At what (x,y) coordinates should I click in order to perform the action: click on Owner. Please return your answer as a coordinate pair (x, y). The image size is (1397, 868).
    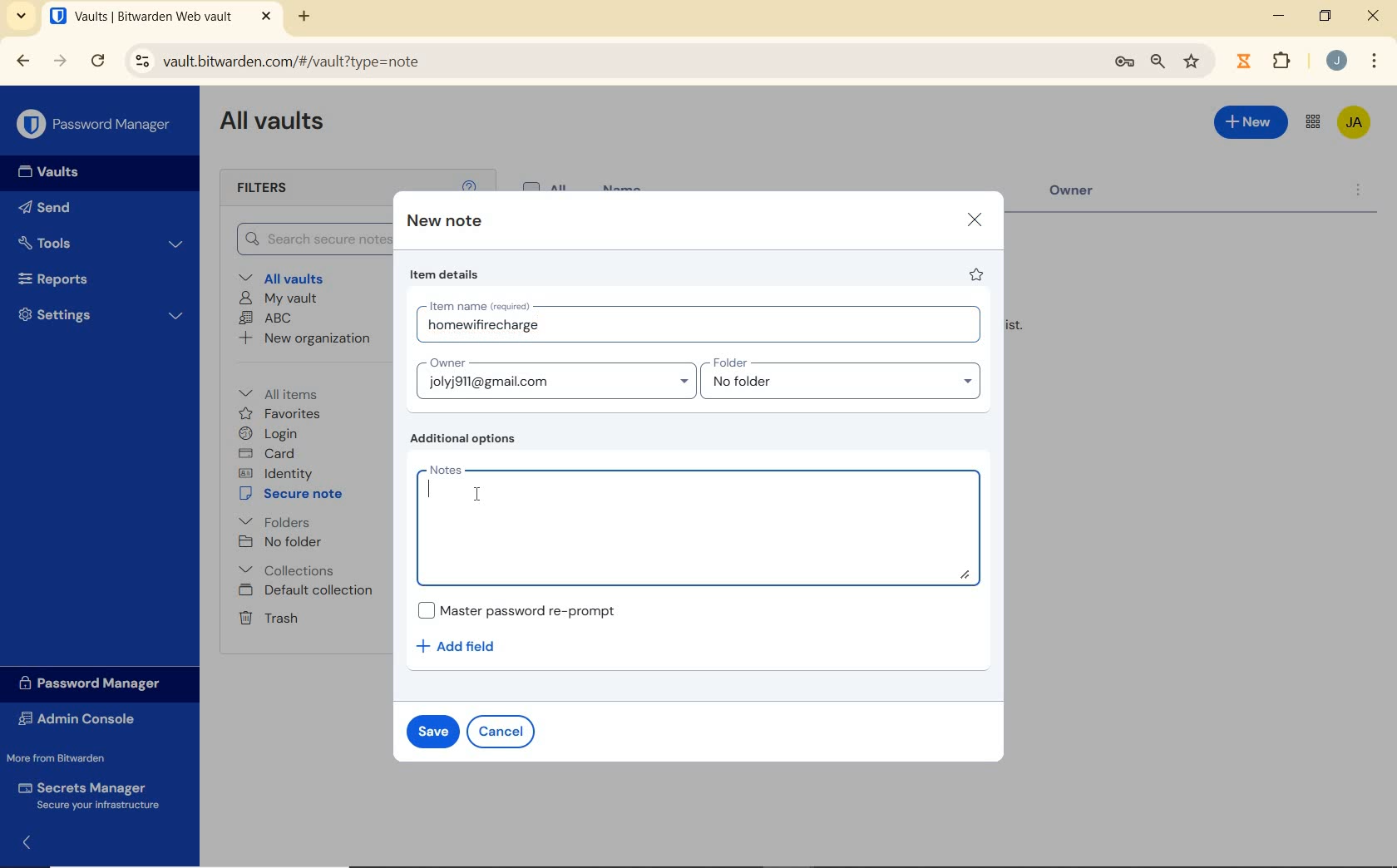
    Looking at the image, I should click on (555, 377).